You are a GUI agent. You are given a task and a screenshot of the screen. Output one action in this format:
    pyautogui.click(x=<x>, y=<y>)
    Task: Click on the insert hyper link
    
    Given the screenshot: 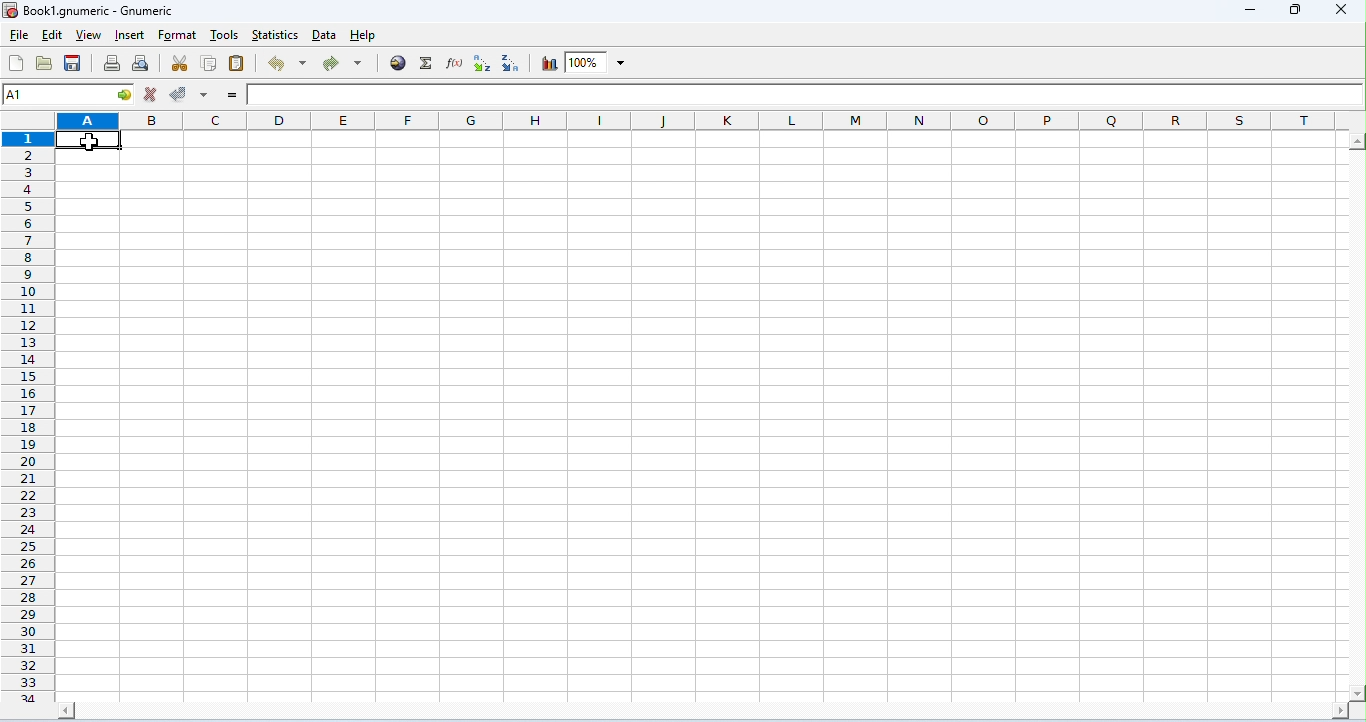 What is the action you would take?
    pyautogui.click(x=400, y=62)
    